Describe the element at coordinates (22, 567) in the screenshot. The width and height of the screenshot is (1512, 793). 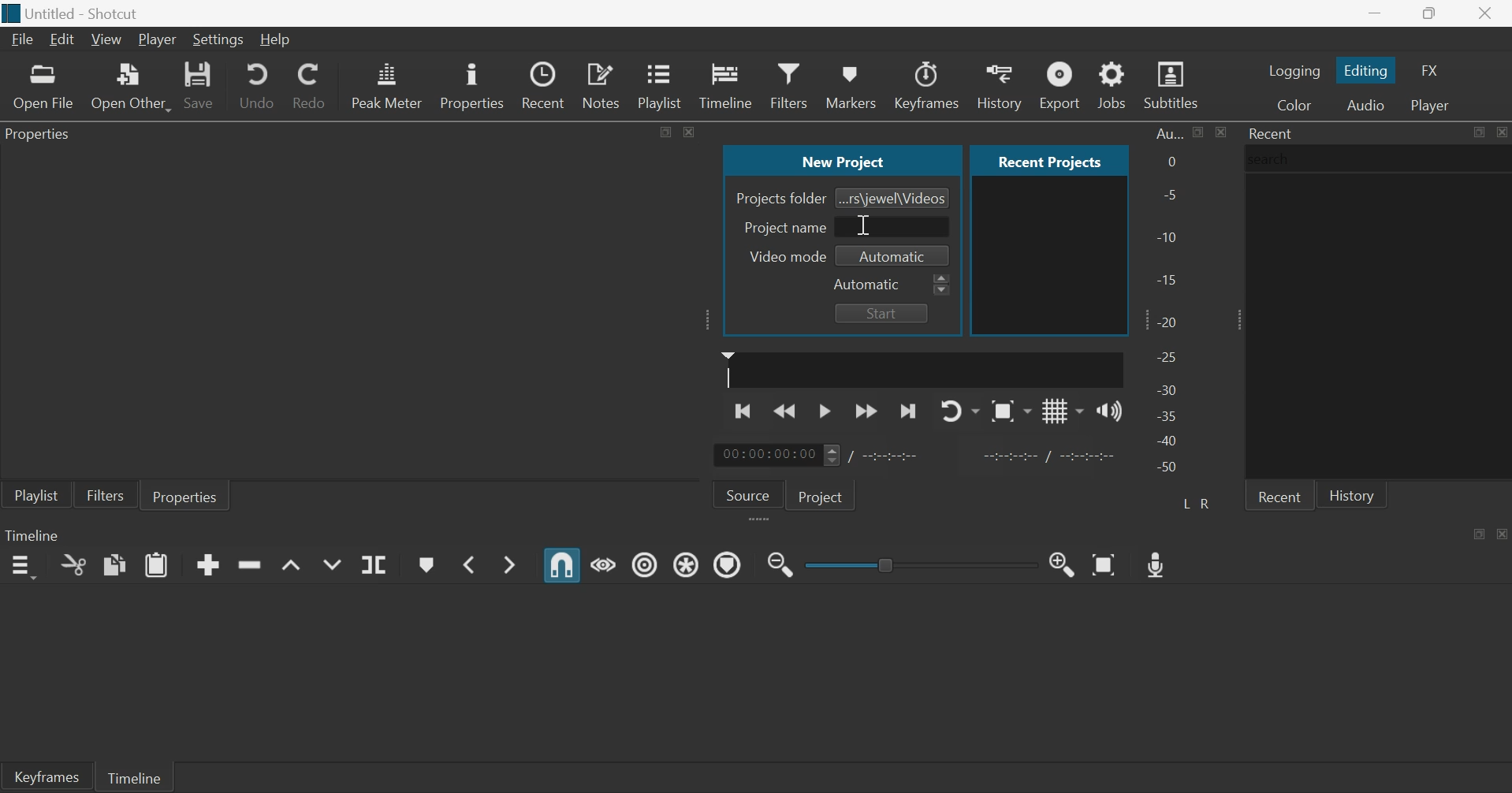
I see `Timeline menu` at that location.